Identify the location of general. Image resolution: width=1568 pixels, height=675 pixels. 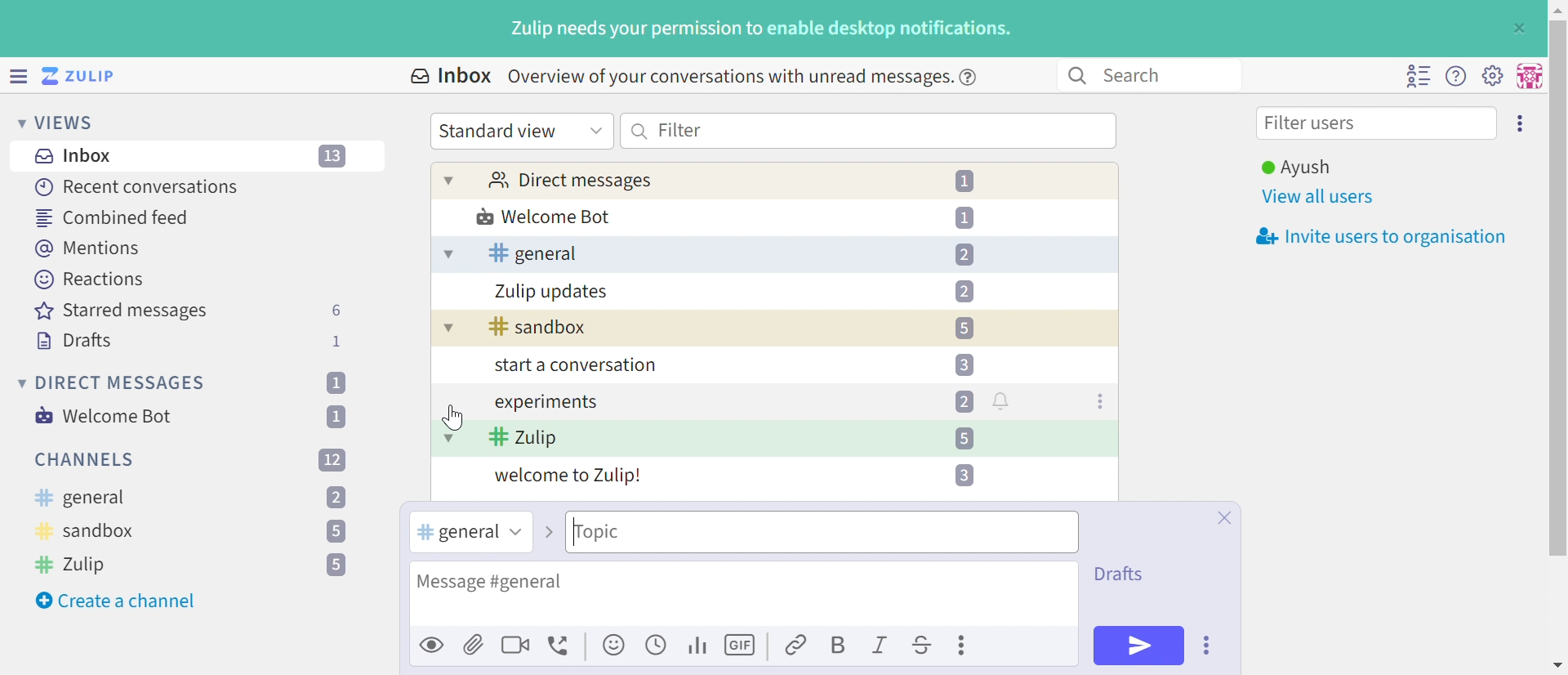
(79, 498).